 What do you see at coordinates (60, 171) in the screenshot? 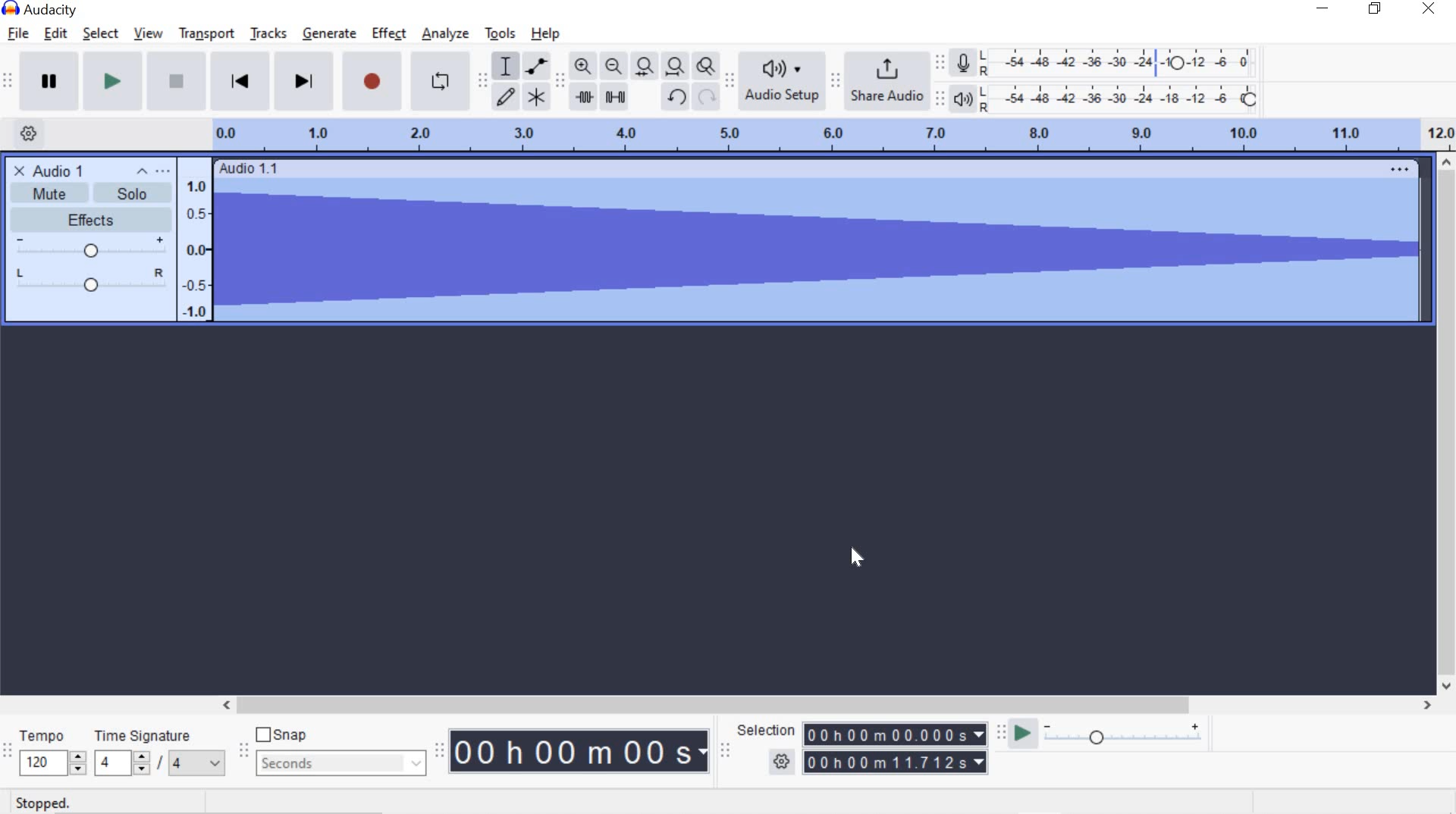
I see `audio 1` at bounding box center [60, 171].